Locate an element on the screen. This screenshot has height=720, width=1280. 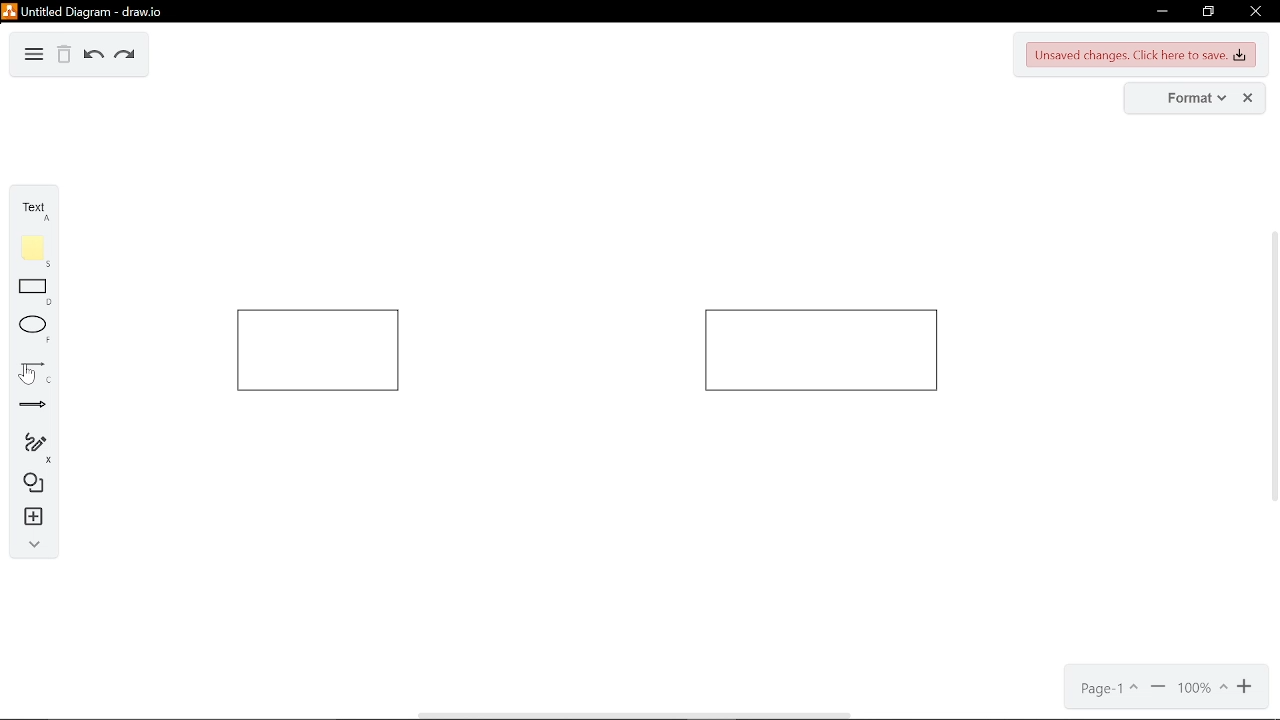
insert is located at coordinates (32, 517).